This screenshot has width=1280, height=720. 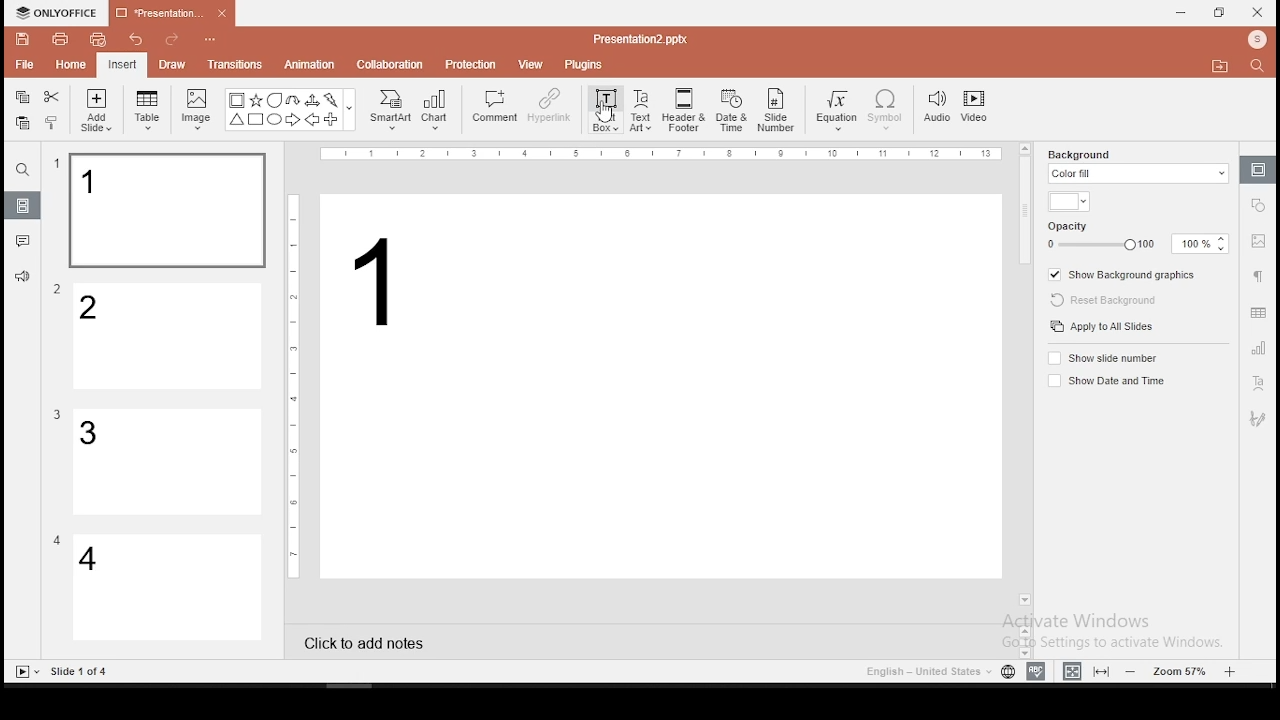 I want to click on text box, so click(x=604, y=108).